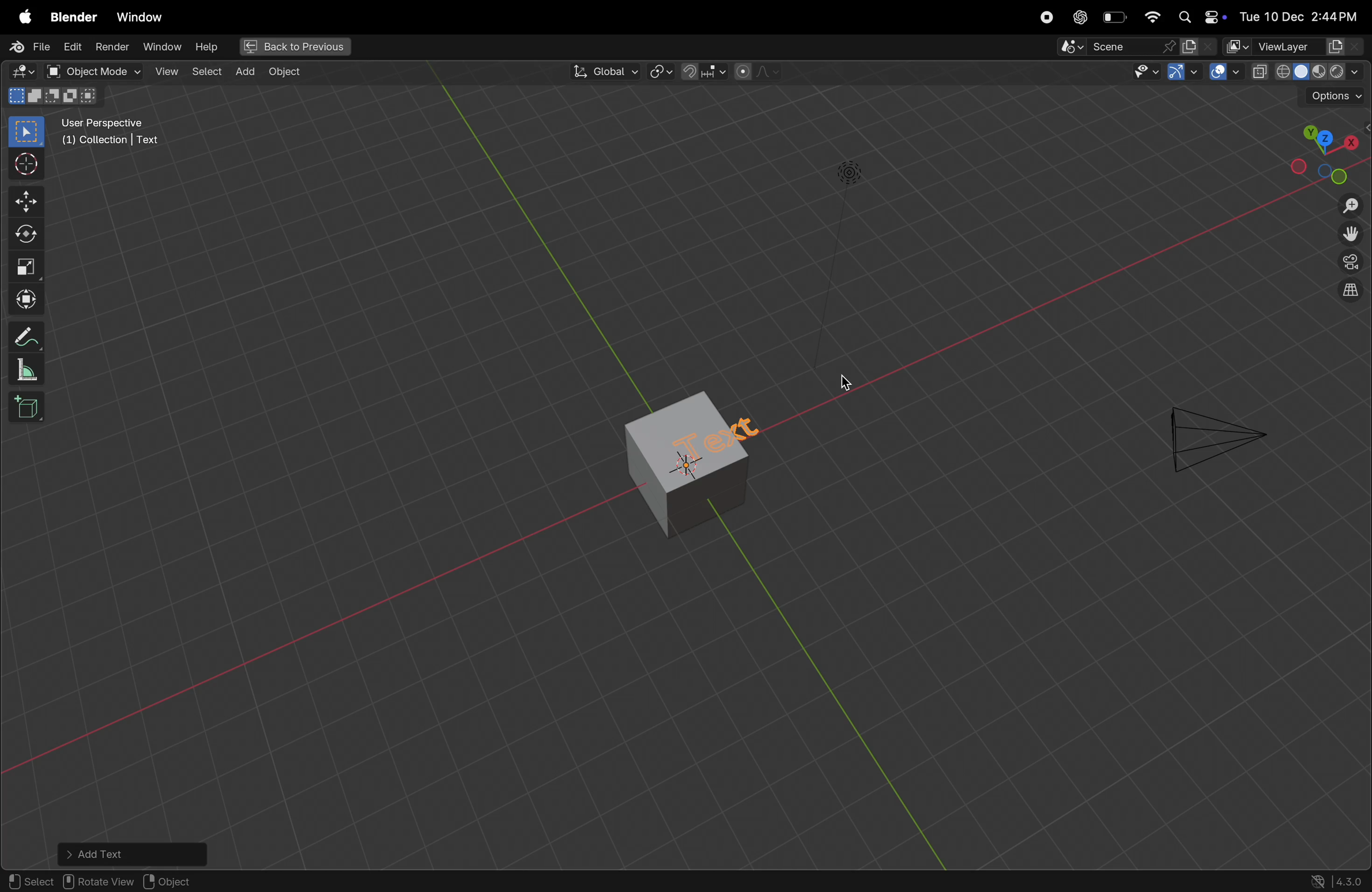  Describe the element at coordinates (112, 47) in the screenshot. I see `render` at that location.